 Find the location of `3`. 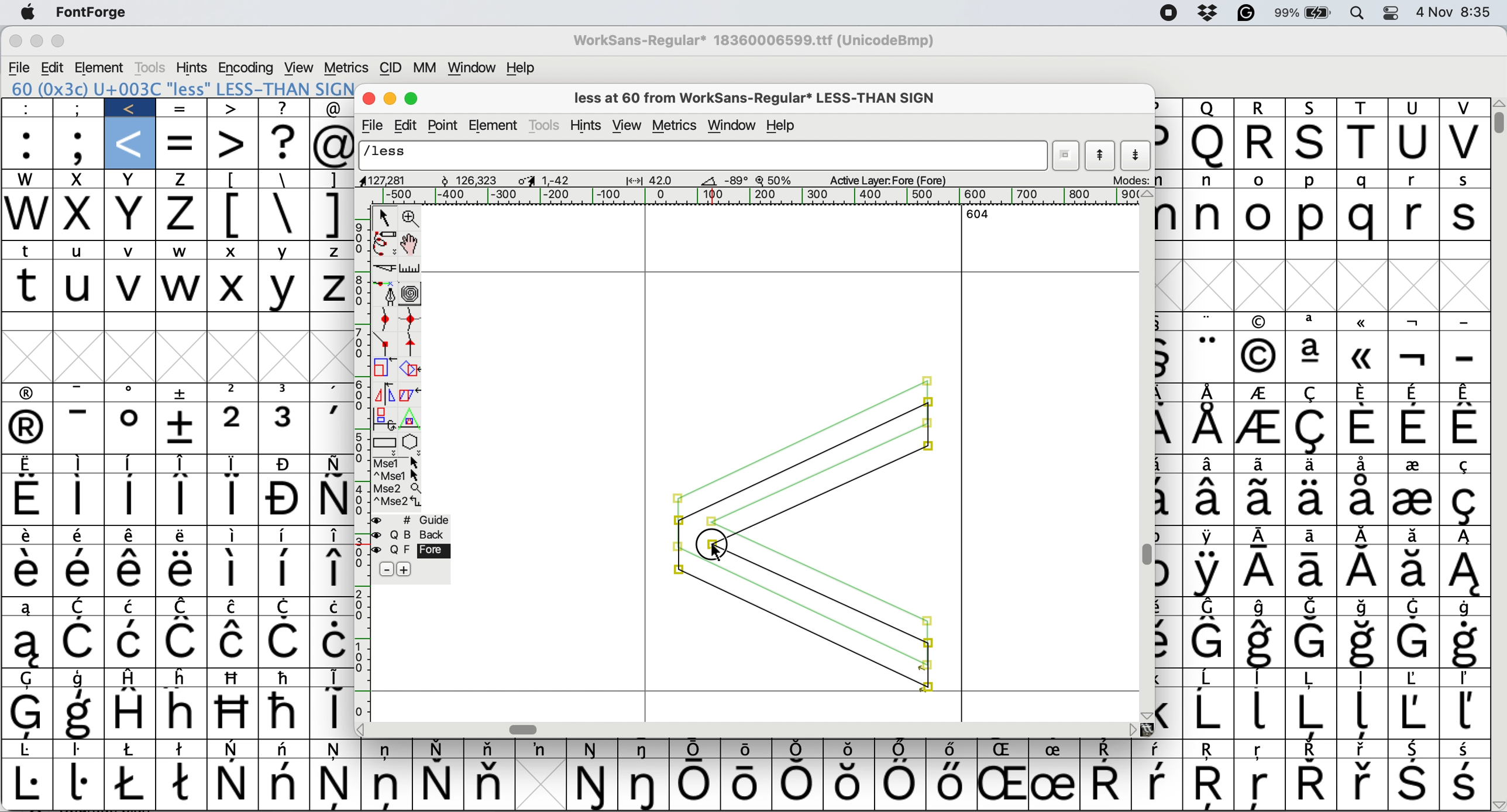

3 is located at coordinates (285, 390).